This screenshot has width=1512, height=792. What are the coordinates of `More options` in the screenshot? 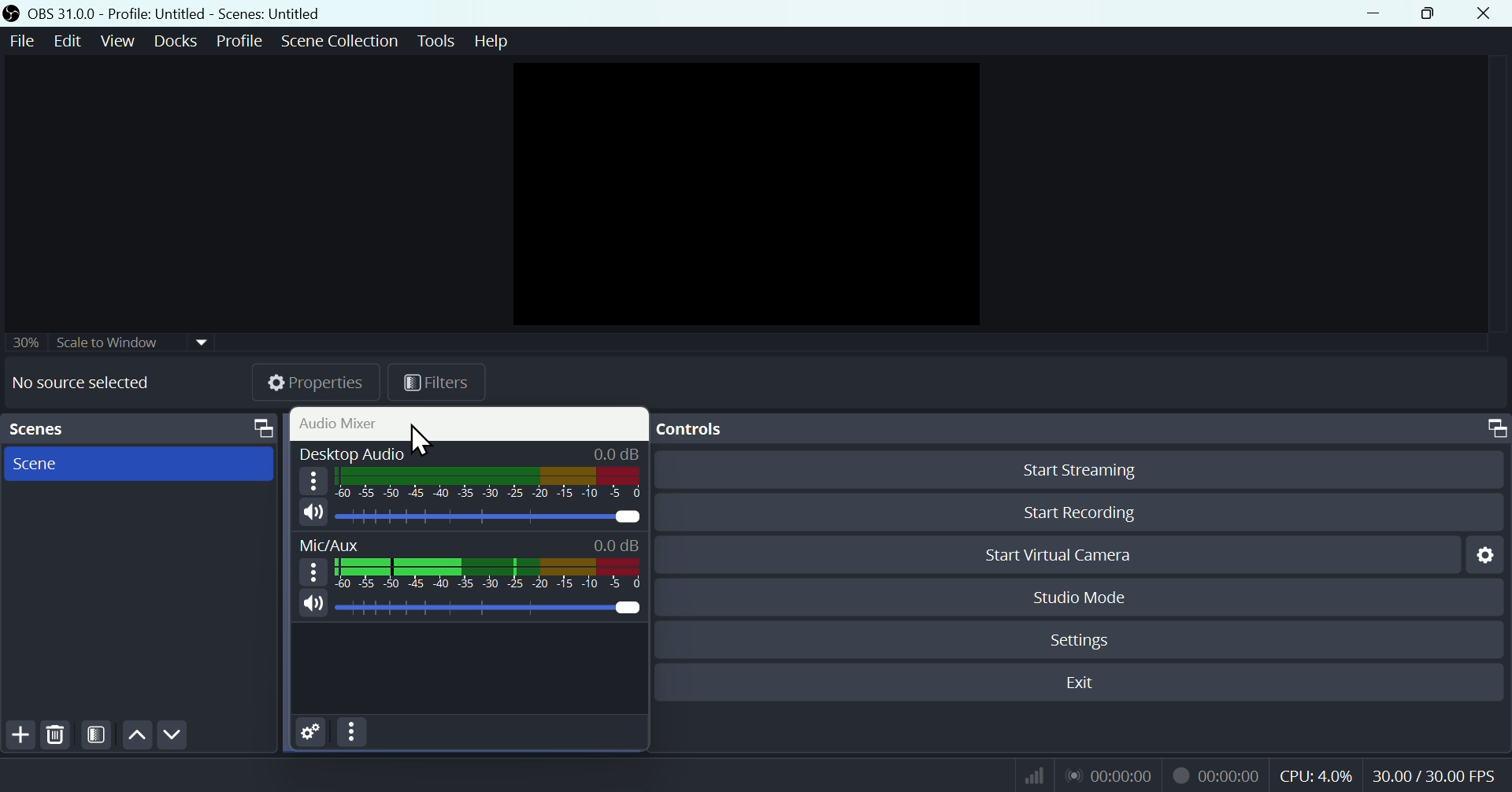 It's located at (313, 479).